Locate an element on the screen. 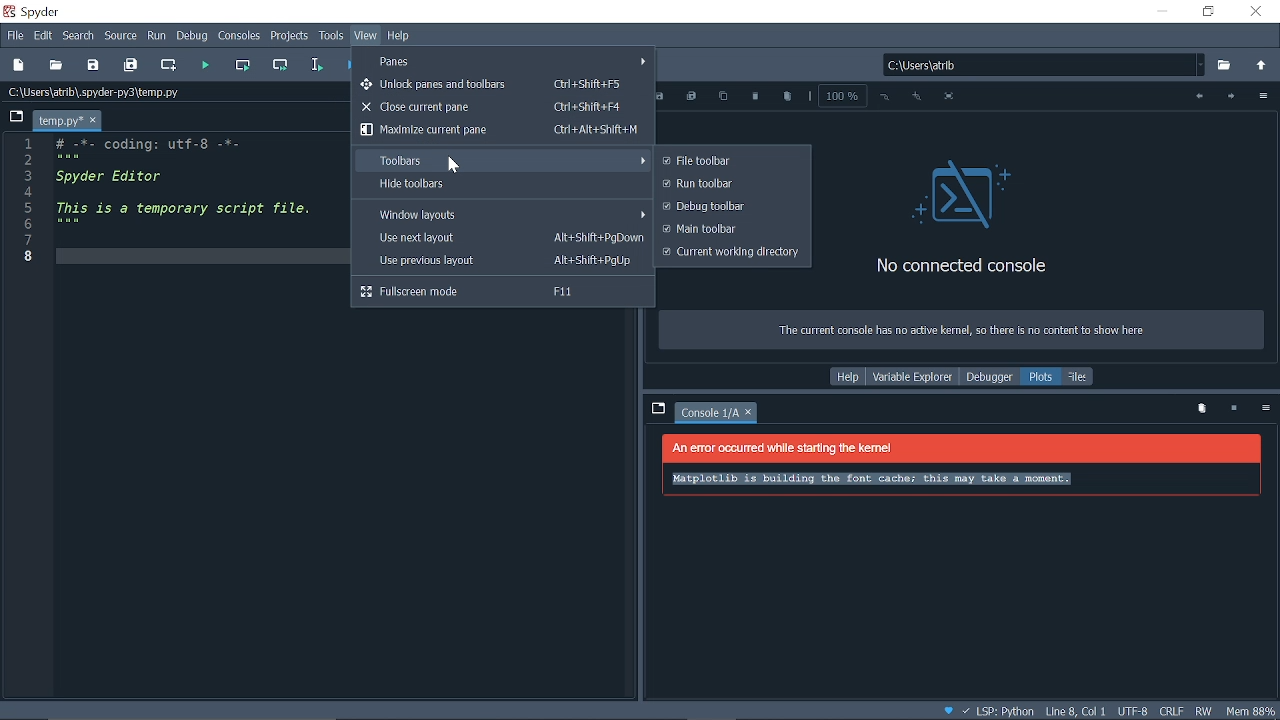 The width and height of the screenshot is (1280, 720). Maximize current pane is located at coordinates (499, 130).